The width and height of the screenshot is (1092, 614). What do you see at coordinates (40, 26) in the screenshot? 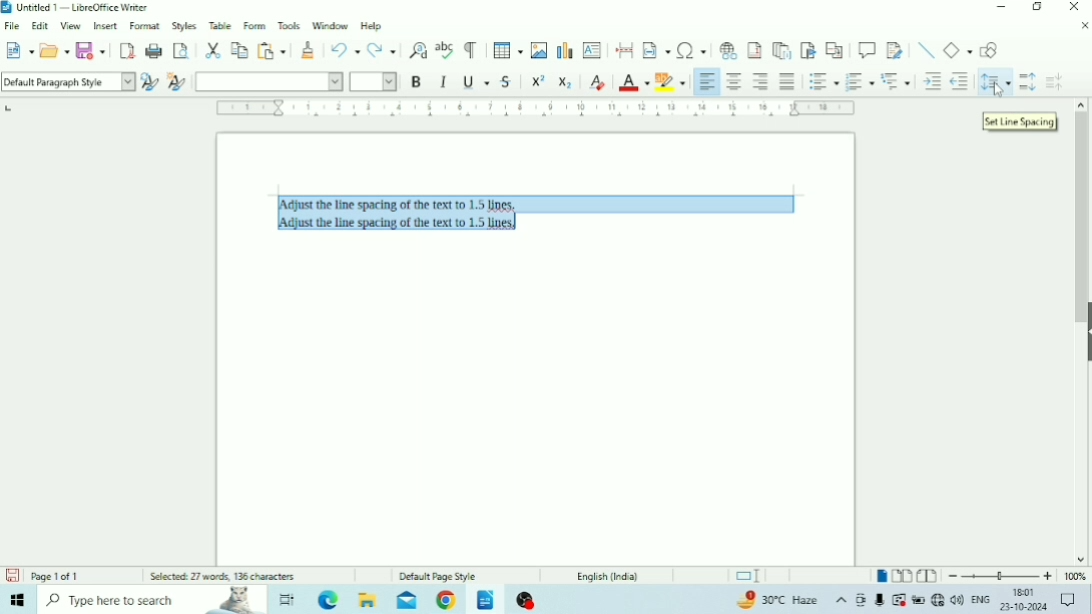
I see `Edit` at bounding box center [40, 26].